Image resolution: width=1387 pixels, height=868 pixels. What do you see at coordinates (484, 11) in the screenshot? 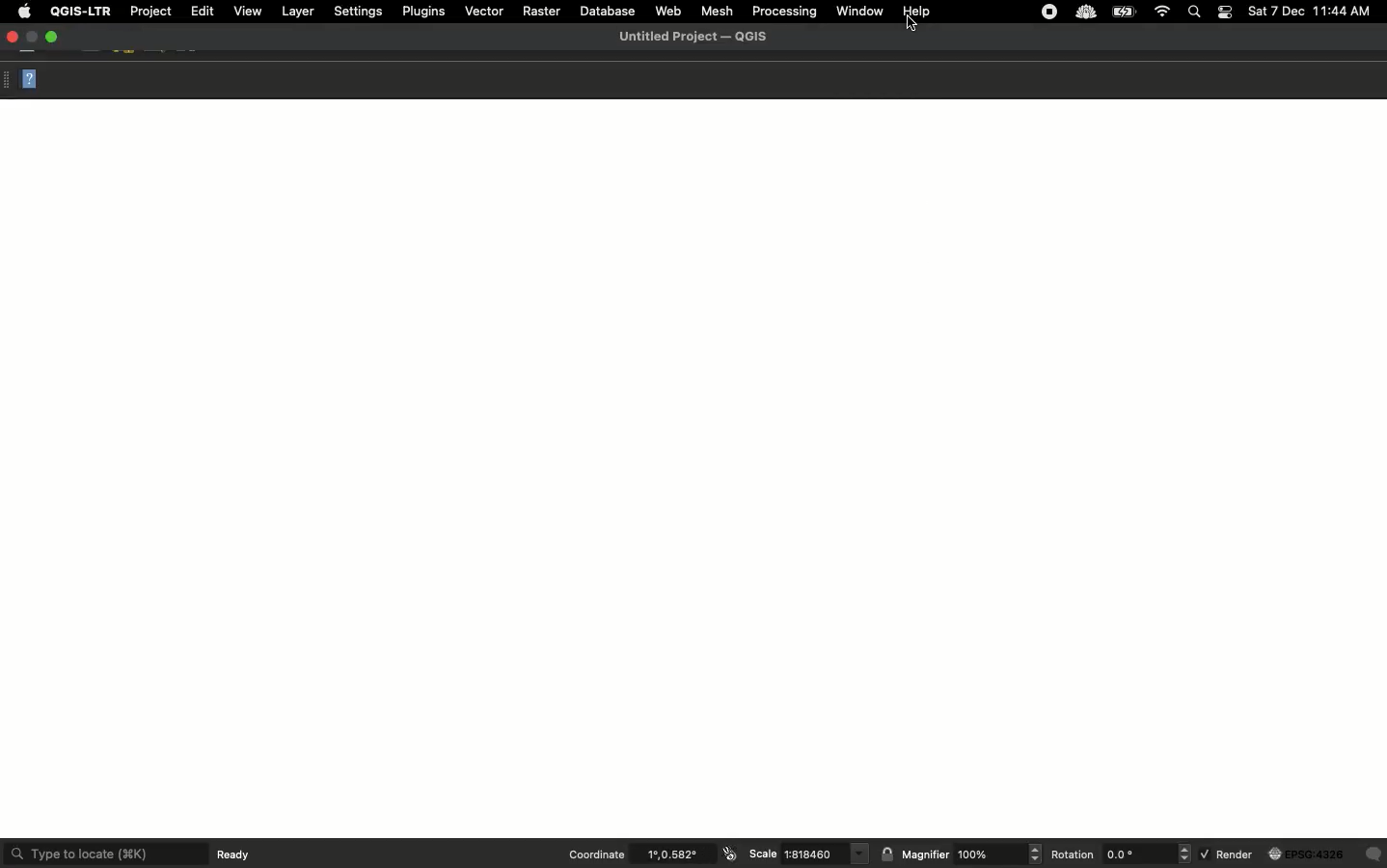
I see `Vector` at bounding box center [484, 11].